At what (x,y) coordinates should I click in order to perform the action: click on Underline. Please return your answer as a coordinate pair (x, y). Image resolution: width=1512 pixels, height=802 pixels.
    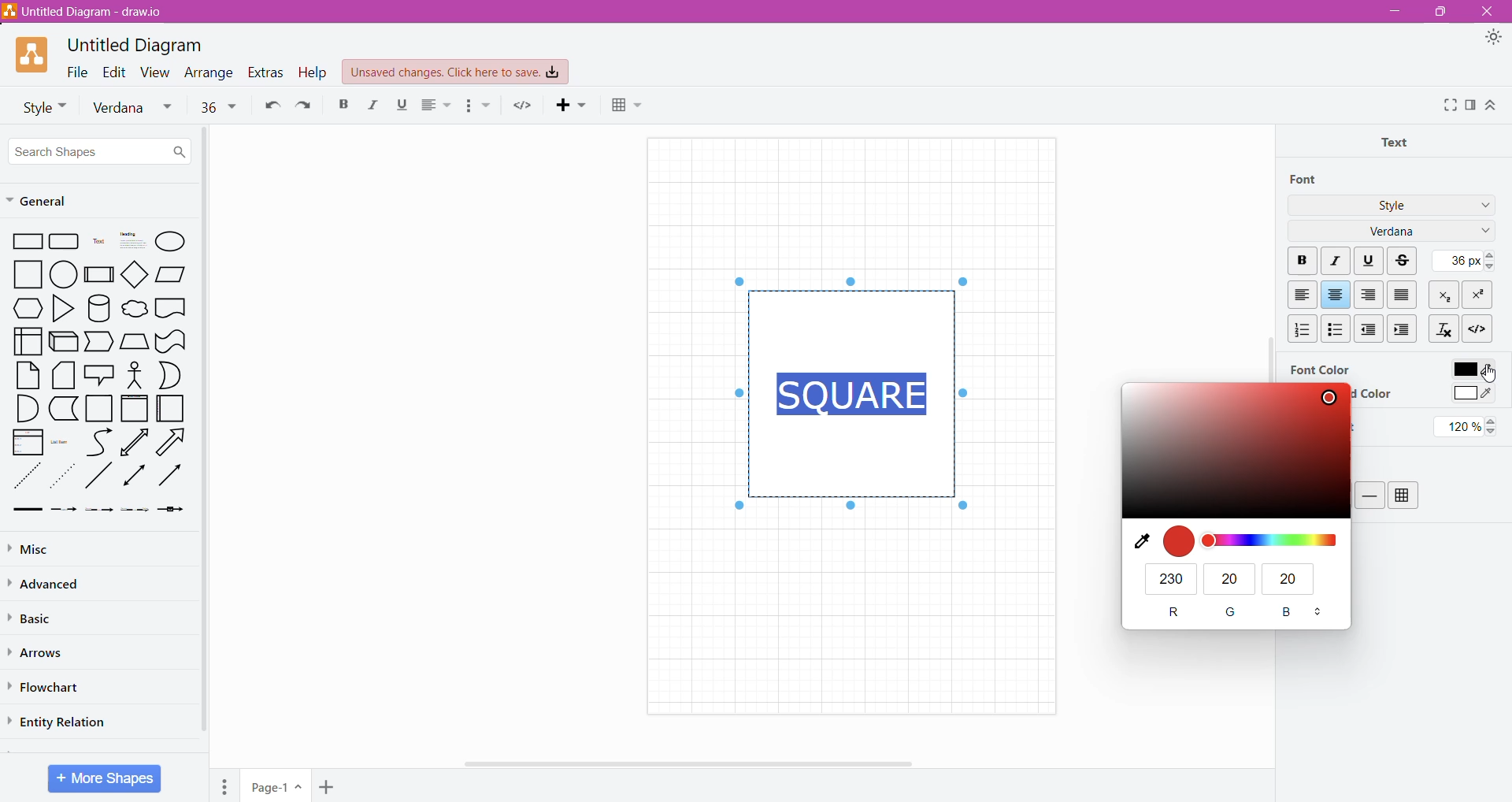
    Looking at the image, I should click on (402, 105).